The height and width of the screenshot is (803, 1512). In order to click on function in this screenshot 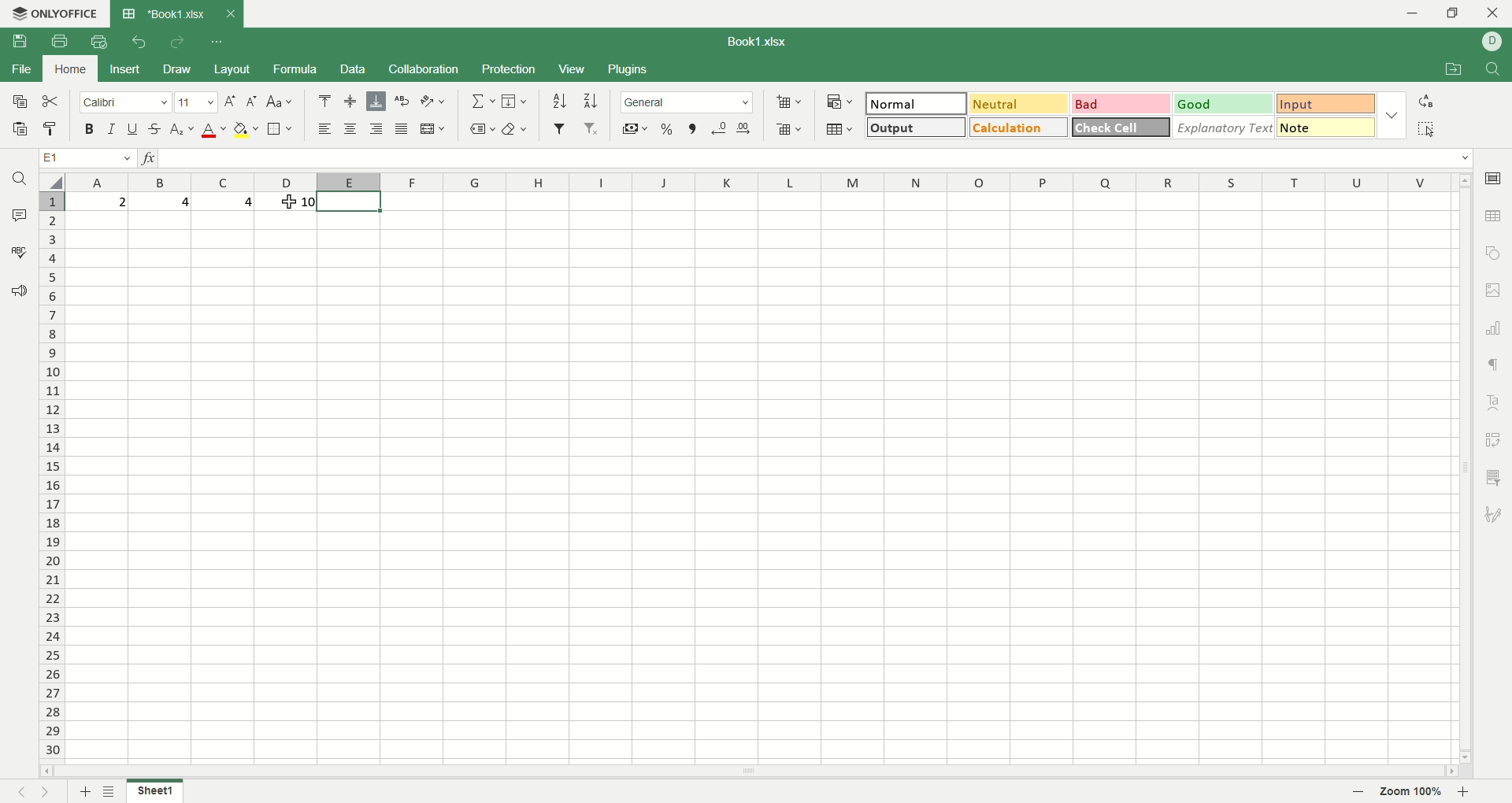, I will do `click(145, 157)`.